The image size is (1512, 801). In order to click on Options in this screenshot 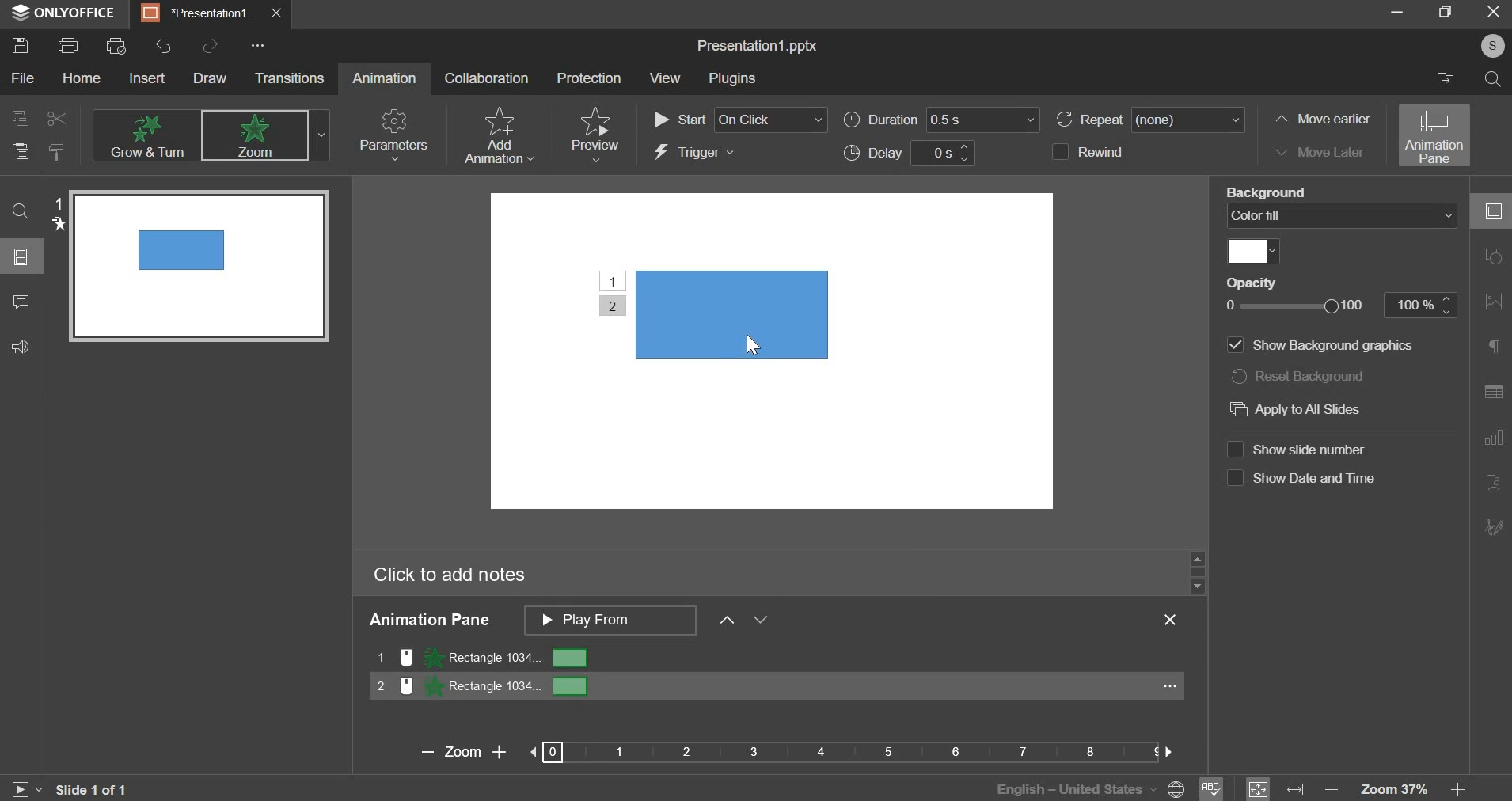, I will do `click(255, 45)`.